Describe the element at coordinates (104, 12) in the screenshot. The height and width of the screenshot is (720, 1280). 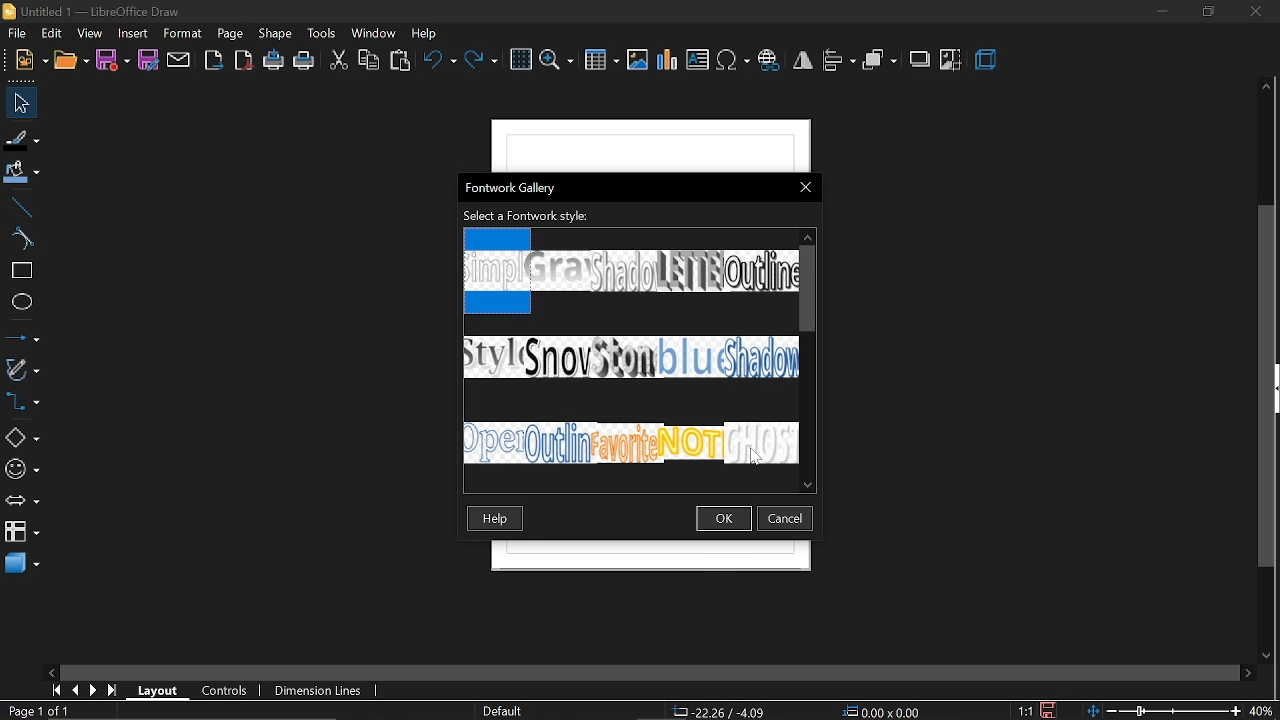
I see `untitled 1 — LibreOffice Draw` at that location.